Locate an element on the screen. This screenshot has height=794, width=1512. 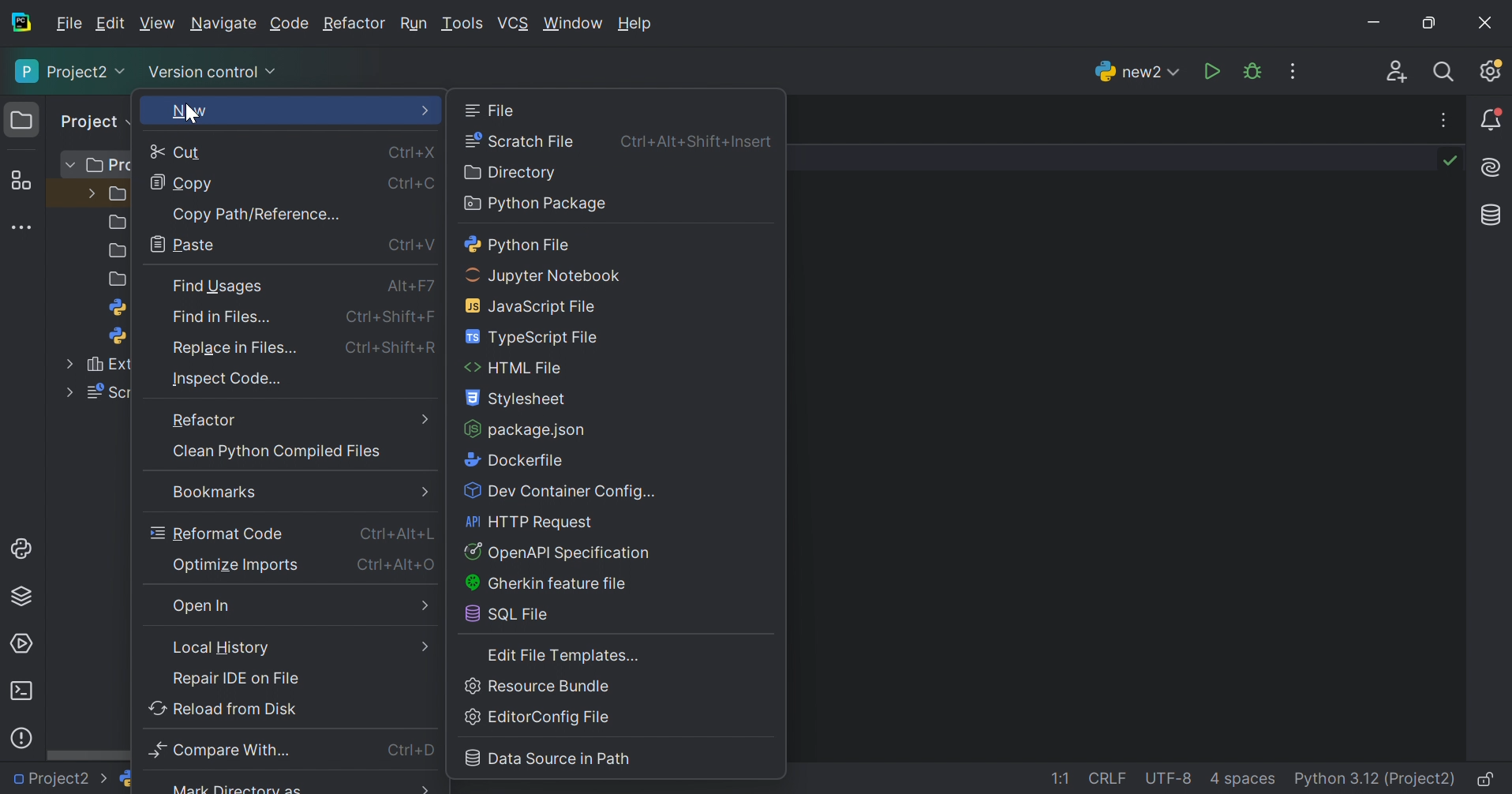
Tools is located at coordinates (462, 24).